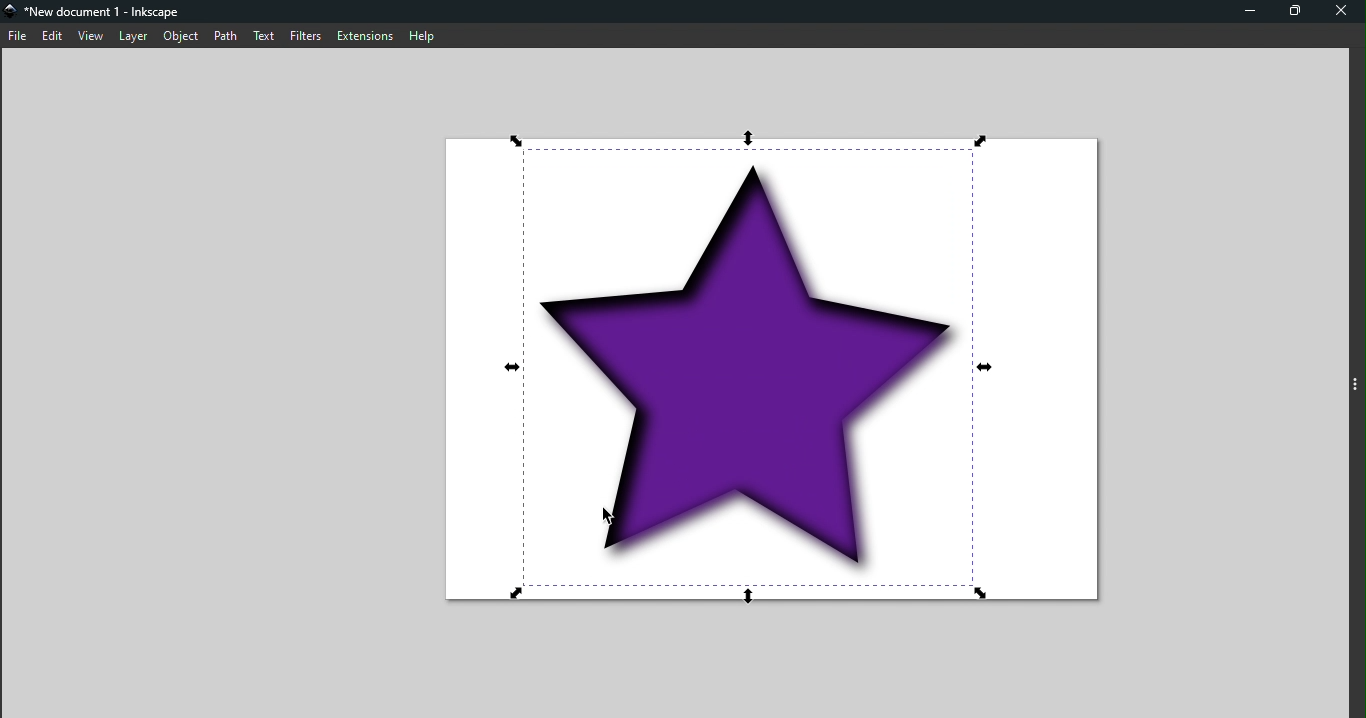 This screenshot has height=718, width=1366. What do you see at coordinates (305, 35) in the screenshot?
I see `Filters` at bounding box center [305, 35].